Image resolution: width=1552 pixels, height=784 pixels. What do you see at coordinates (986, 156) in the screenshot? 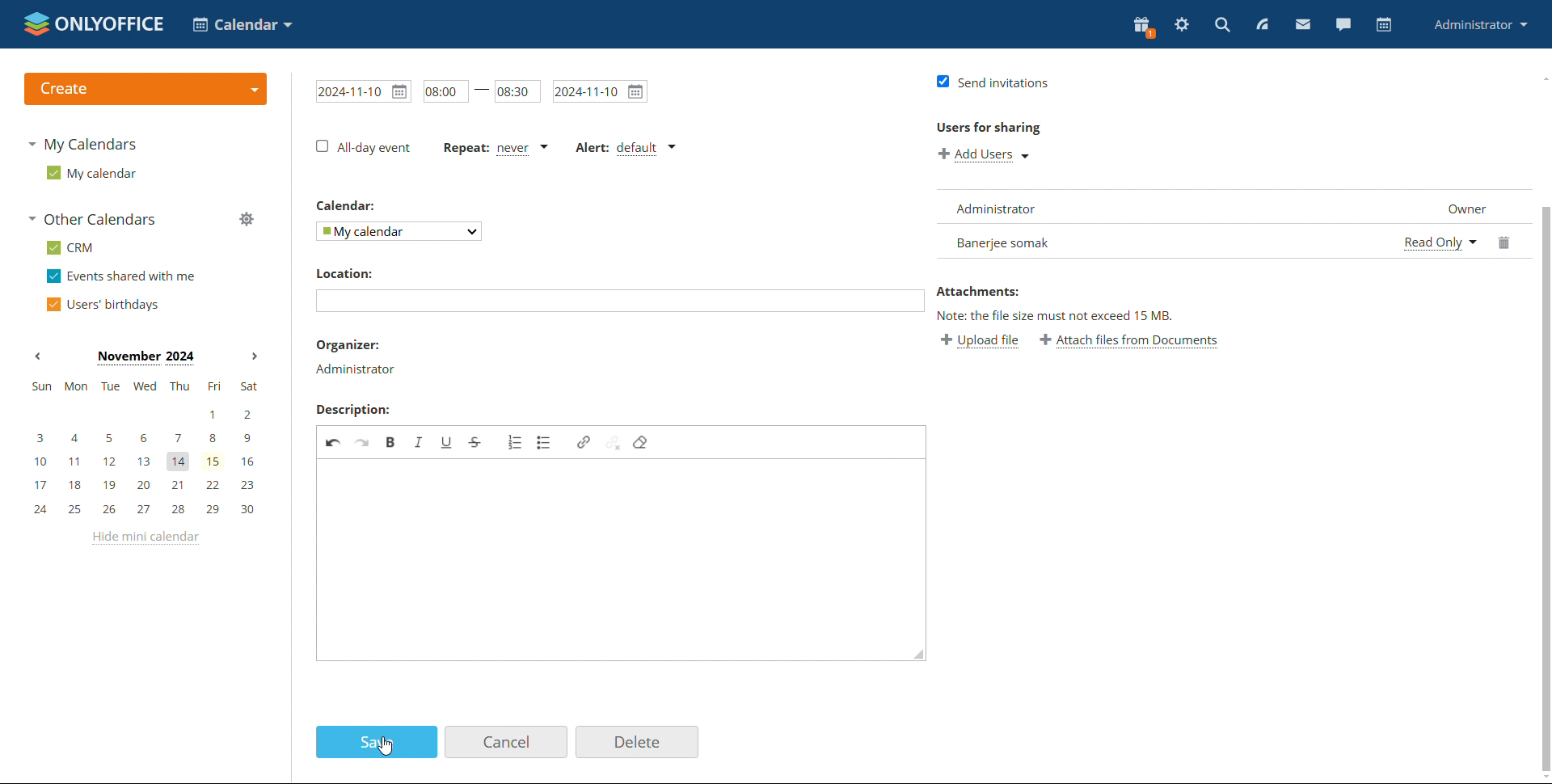
I see `add users` at bounding box center [986, 156].